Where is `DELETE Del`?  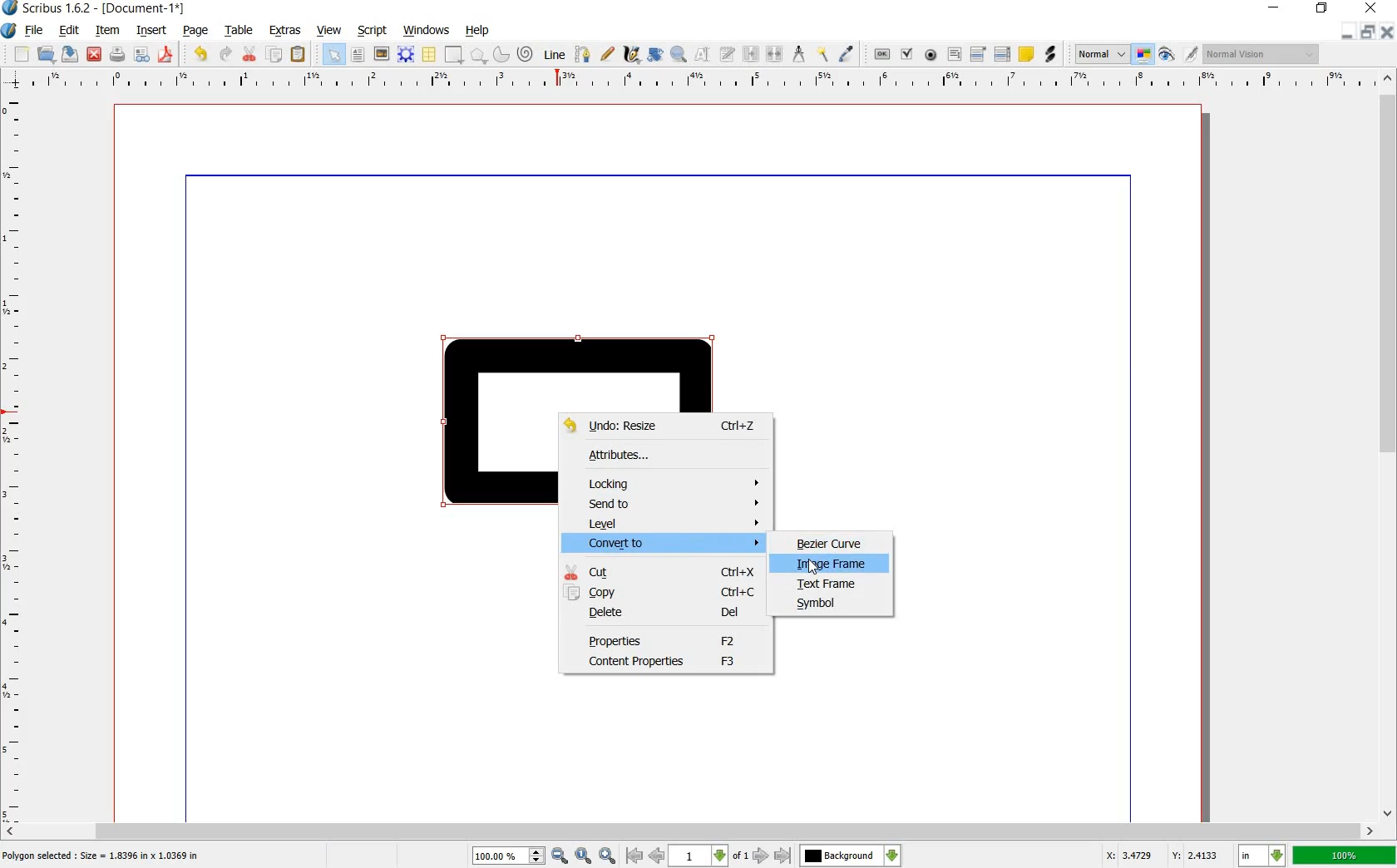 DELETE Del is located at coordinates (668, 615).